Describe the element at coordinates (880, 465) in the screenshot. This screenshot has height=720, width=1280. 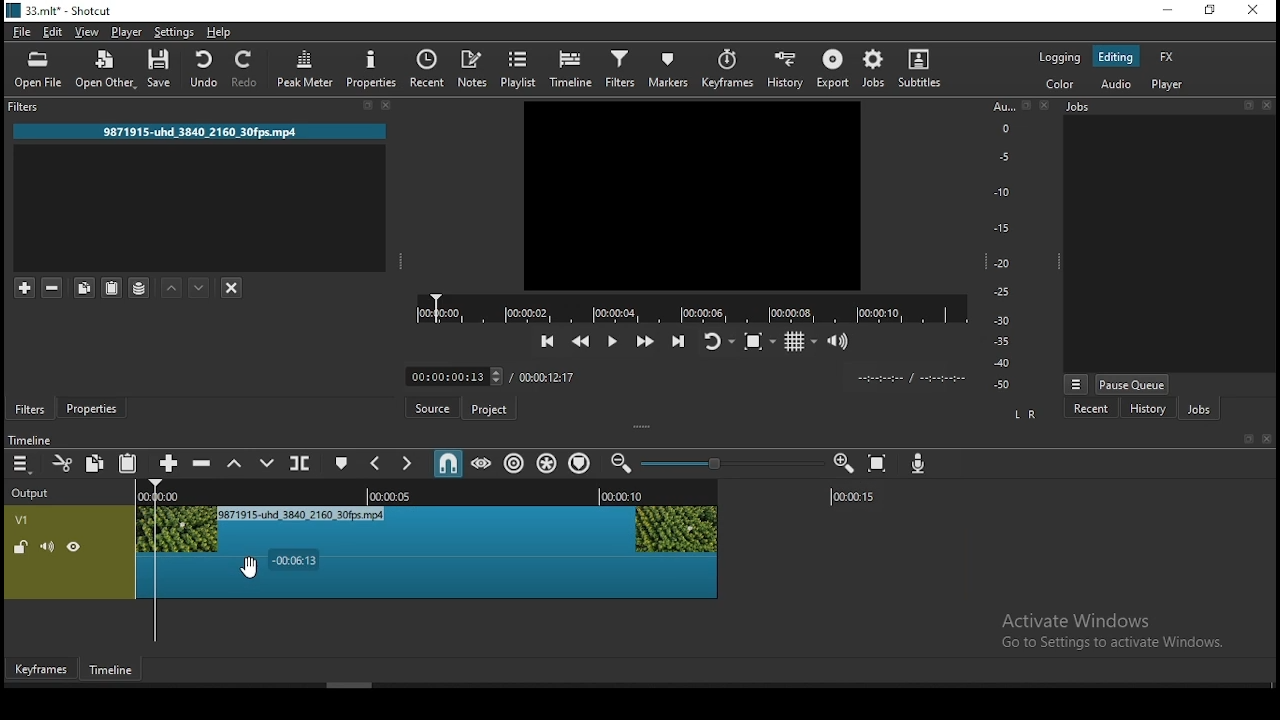
I see `zoom timeline to fit` at that location.